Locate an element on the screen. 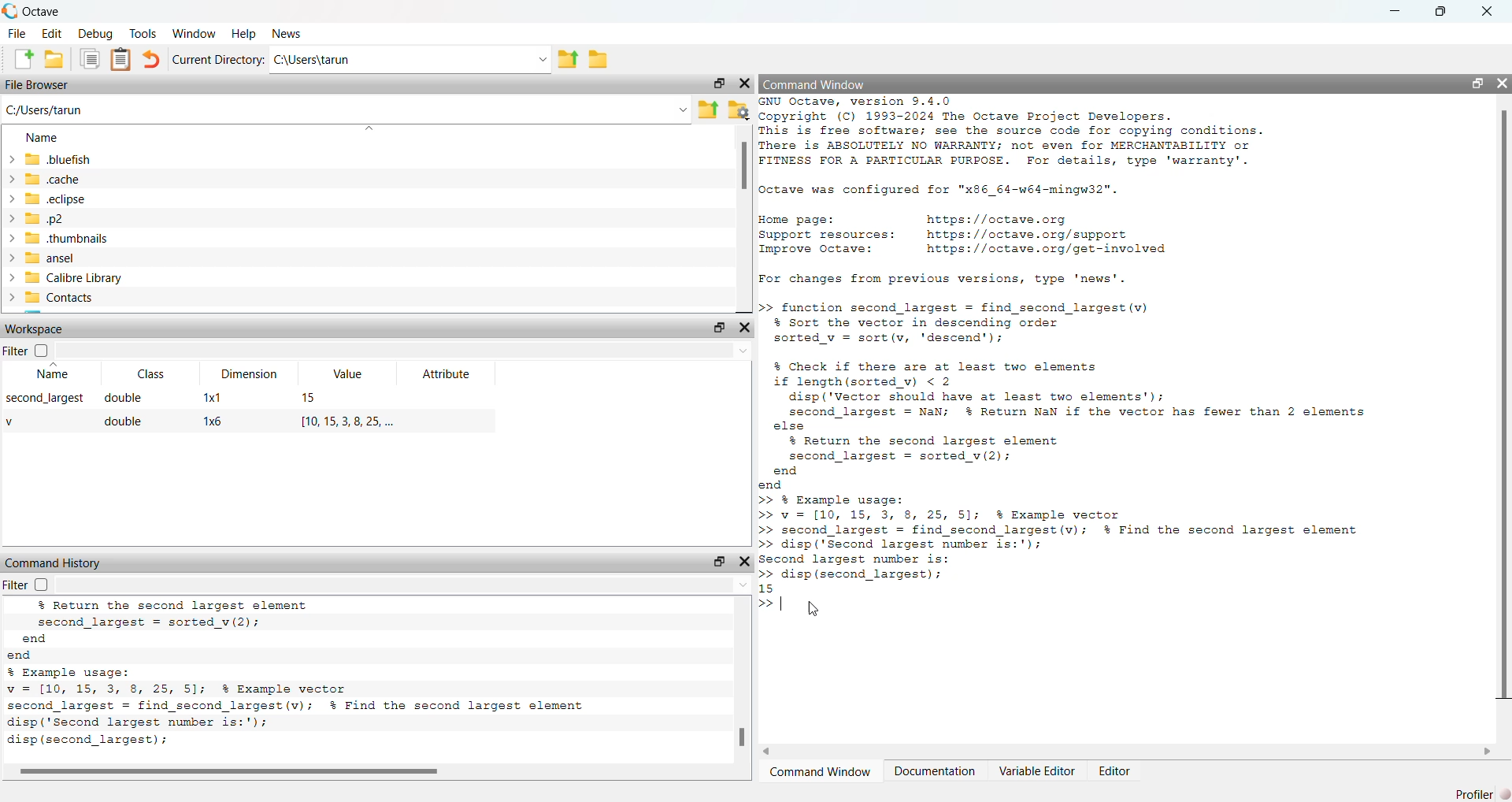 Image resolution: width=1512 pixels, height=802 pixels. maximize is located at coordinates (1443, 12).